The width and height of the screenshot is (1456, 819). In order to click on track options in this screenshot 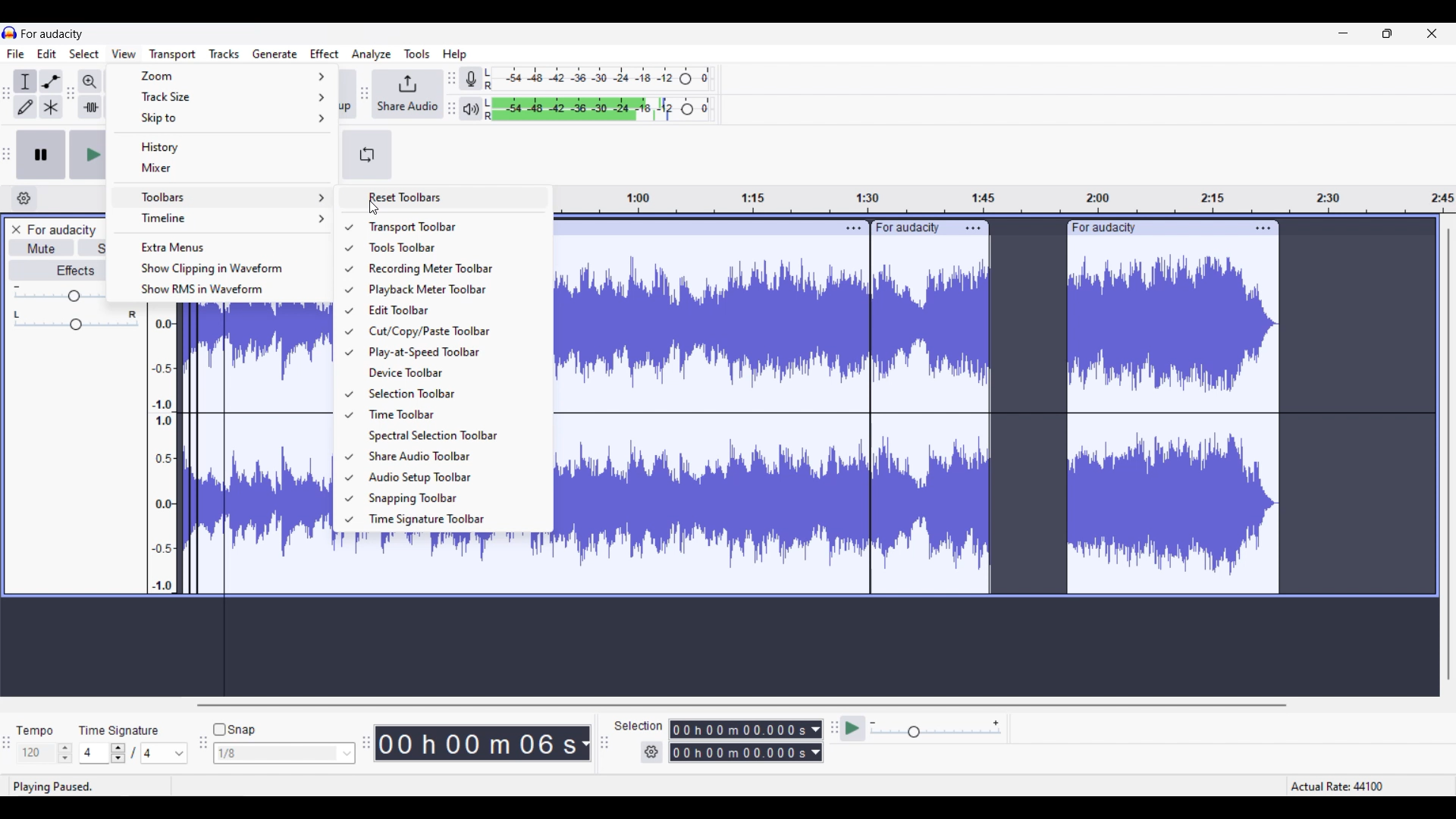, I will do `click(851, 227)`.